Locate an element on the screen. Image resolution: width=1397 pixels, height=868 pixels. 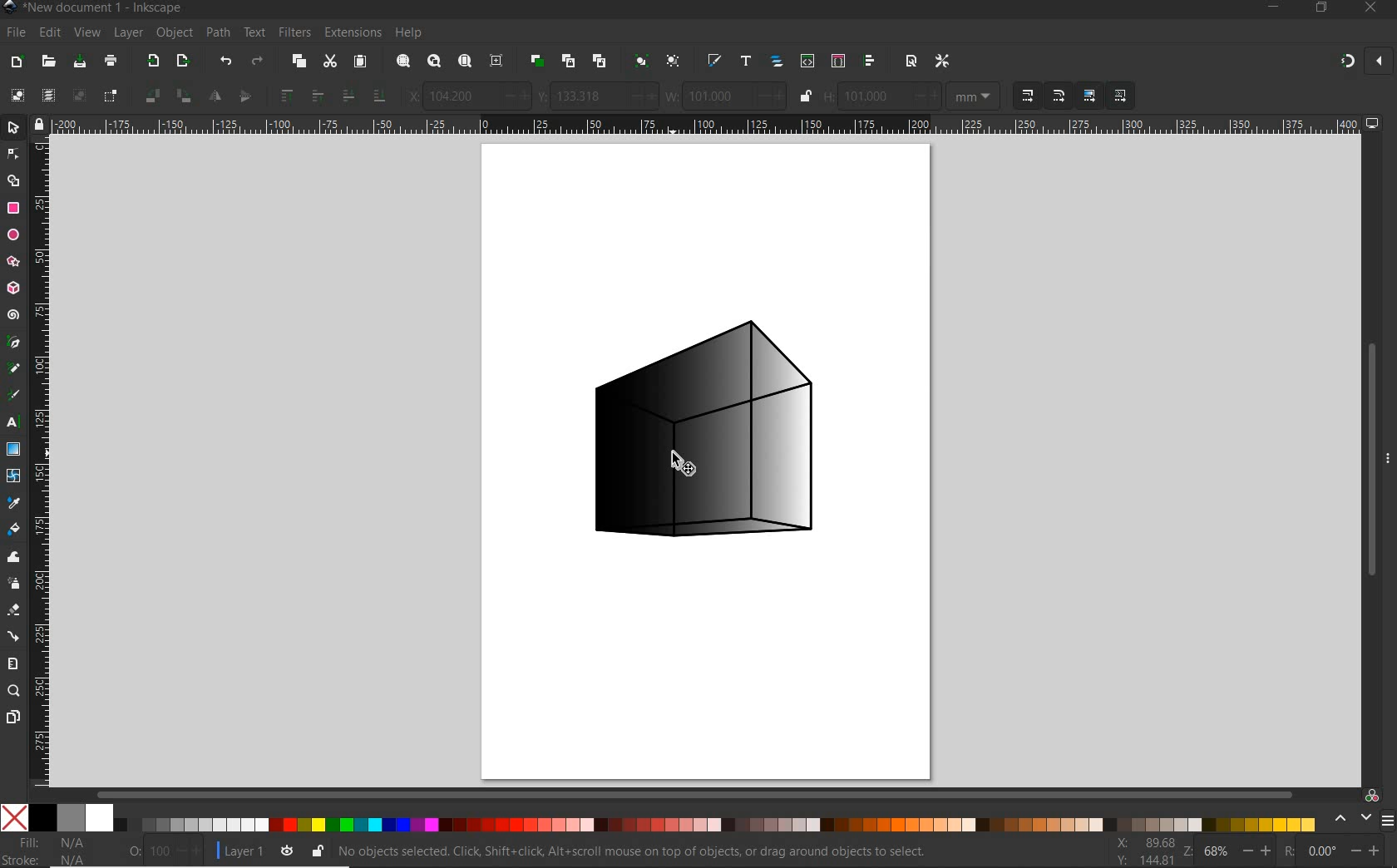
100 is located at coordinates (159, 850).